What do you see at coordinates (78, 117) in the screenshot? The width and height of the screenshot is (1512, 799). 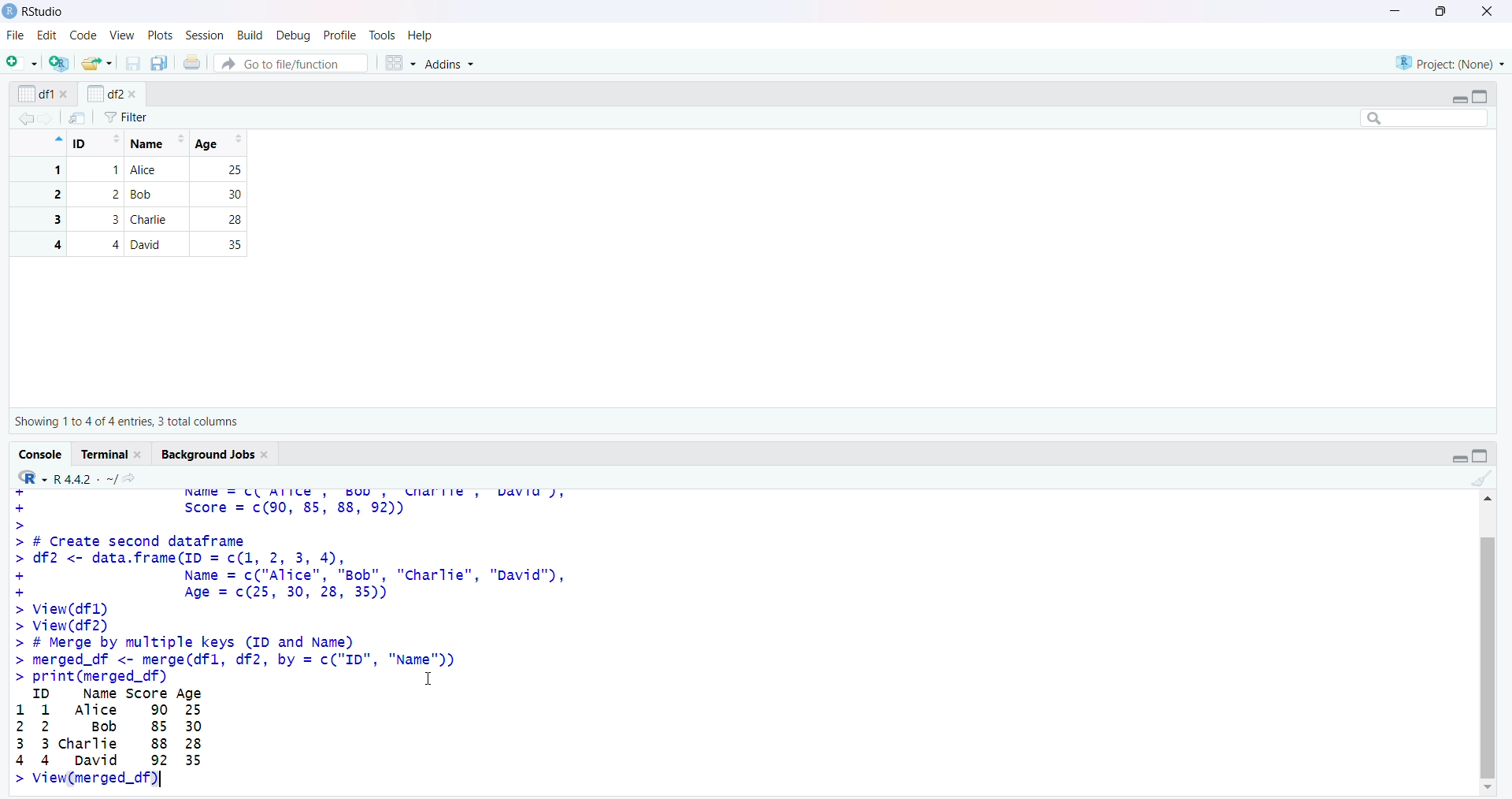 I see `send` at bounding box center [78, 117].